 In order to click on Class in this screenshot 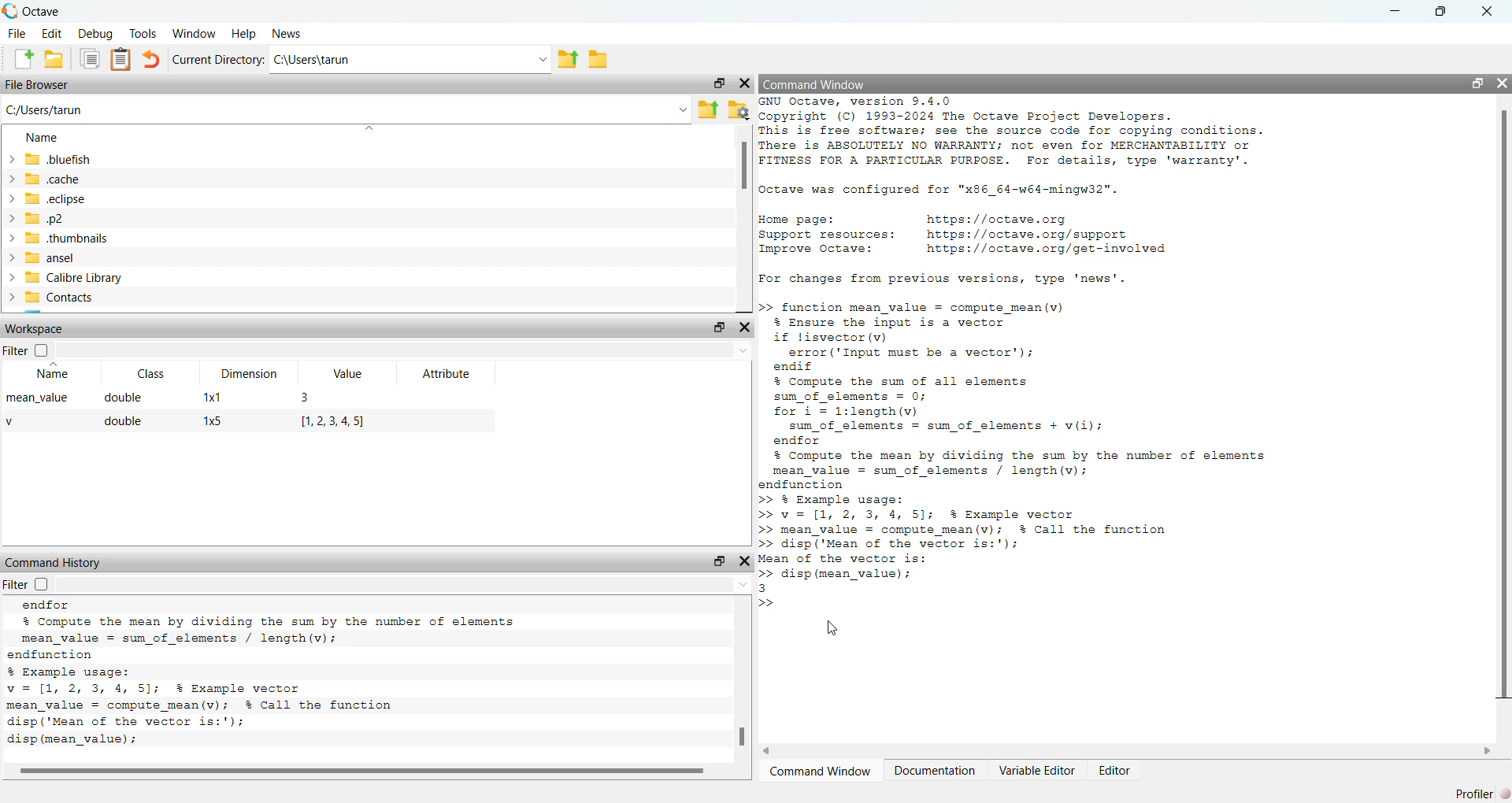, I will do `click(151, 373)`.